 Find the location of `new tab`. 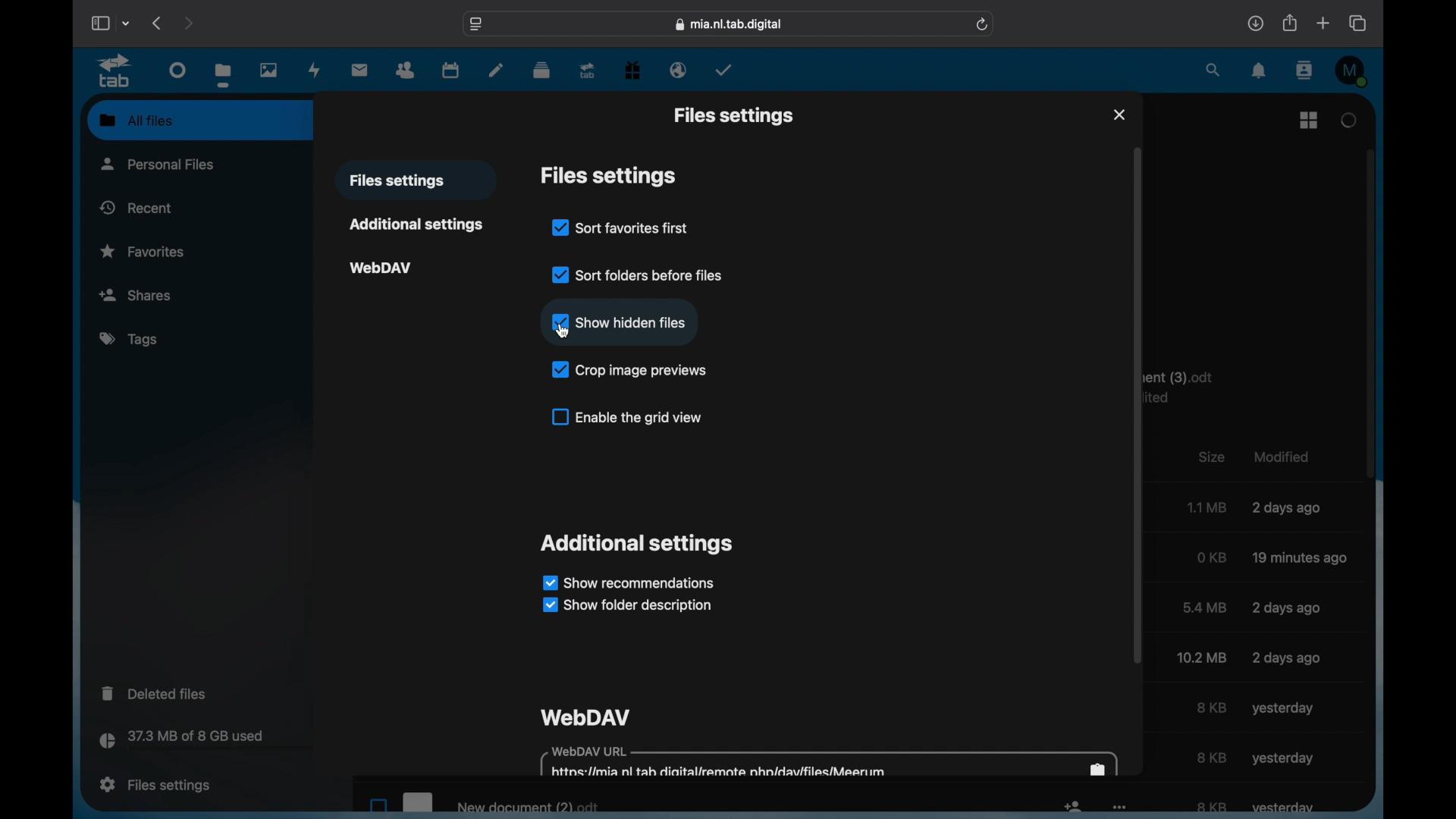

new tab is located at coordinates (1323, 23).